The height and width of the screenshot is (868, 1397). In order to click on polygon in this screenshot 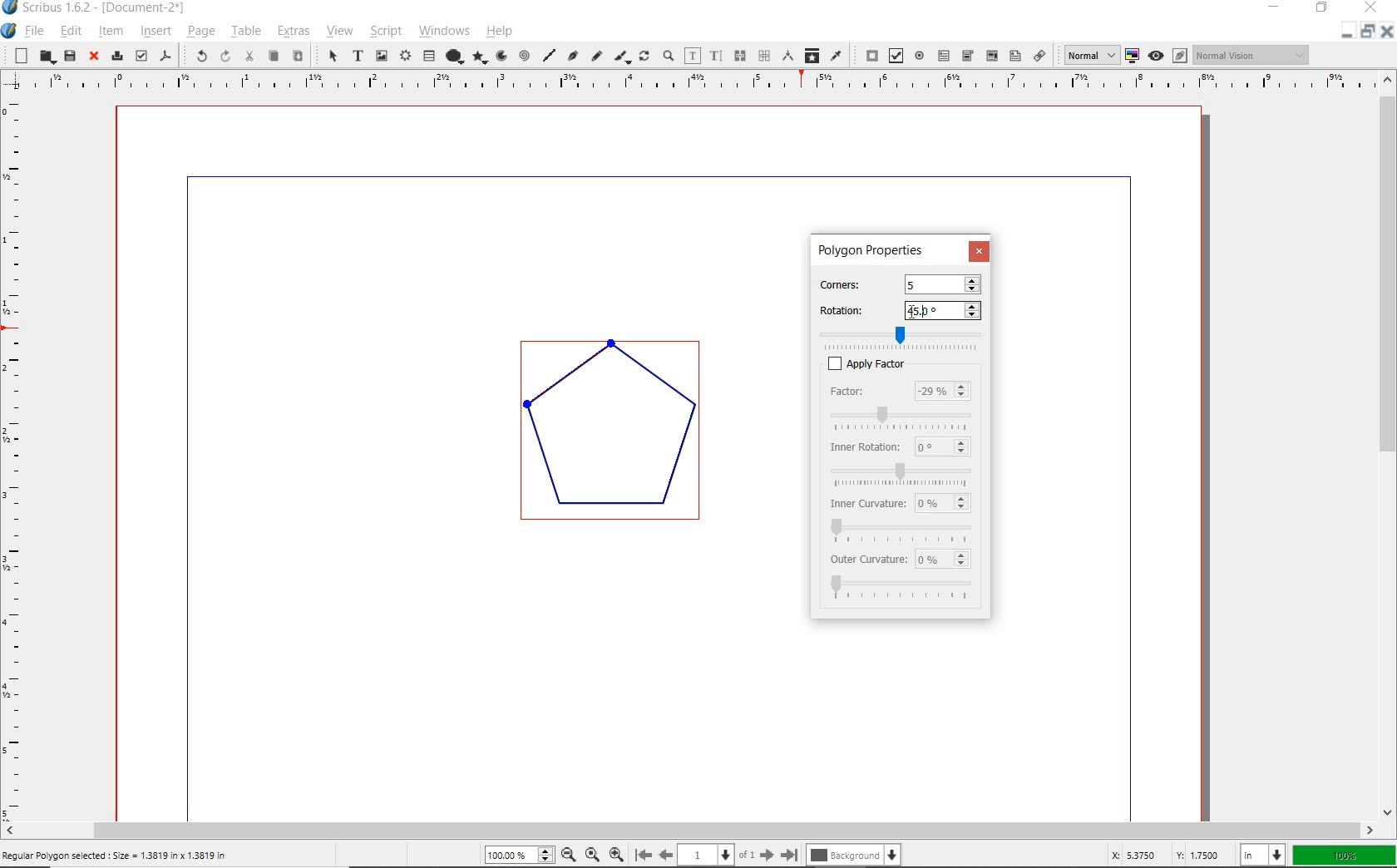, I will do `click(481, 57)`.